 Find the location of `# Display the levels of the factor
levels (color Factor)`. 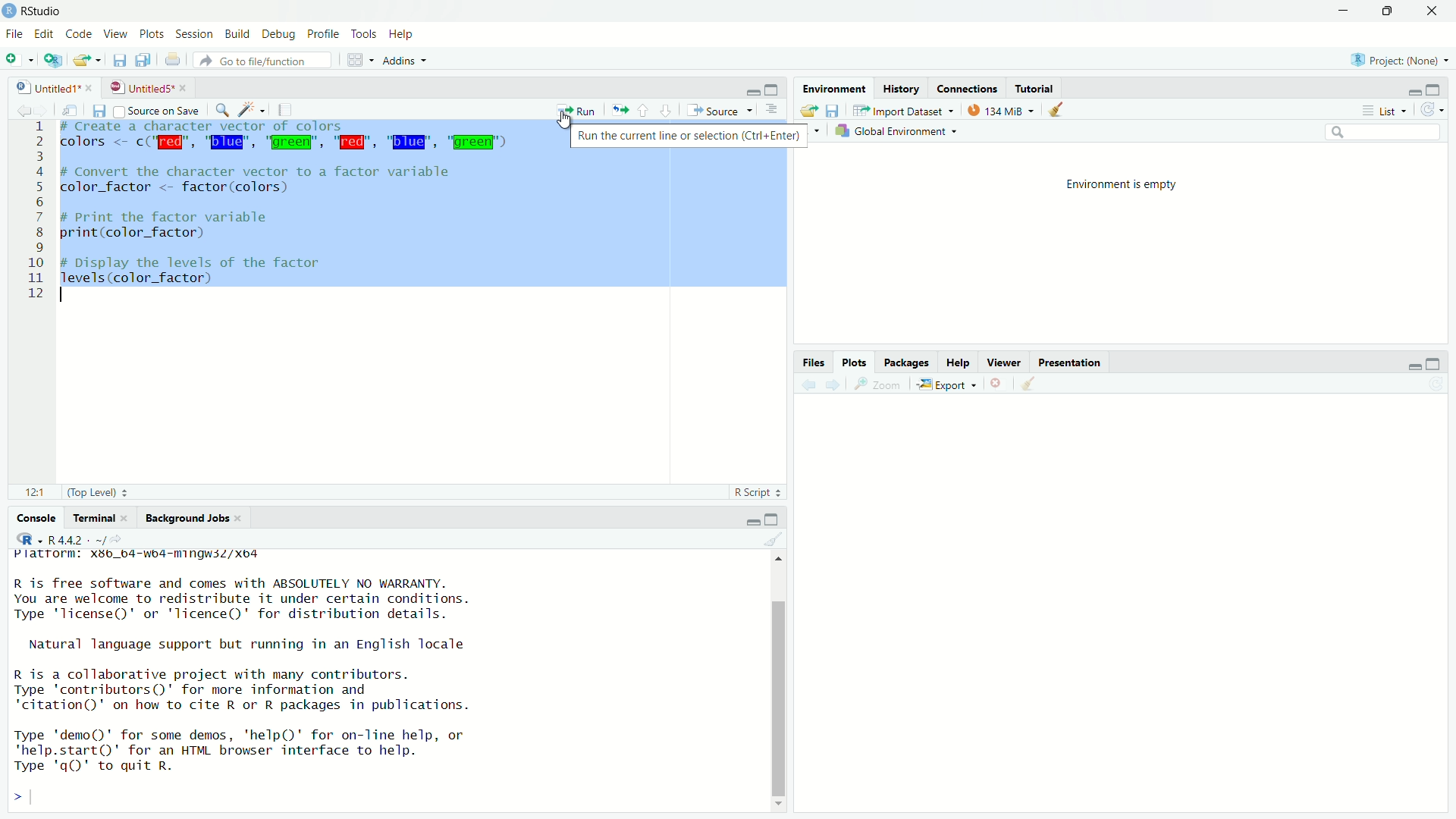

# Display the levels of the factor
levels (color Factor) is located at coordinates (202, 269).